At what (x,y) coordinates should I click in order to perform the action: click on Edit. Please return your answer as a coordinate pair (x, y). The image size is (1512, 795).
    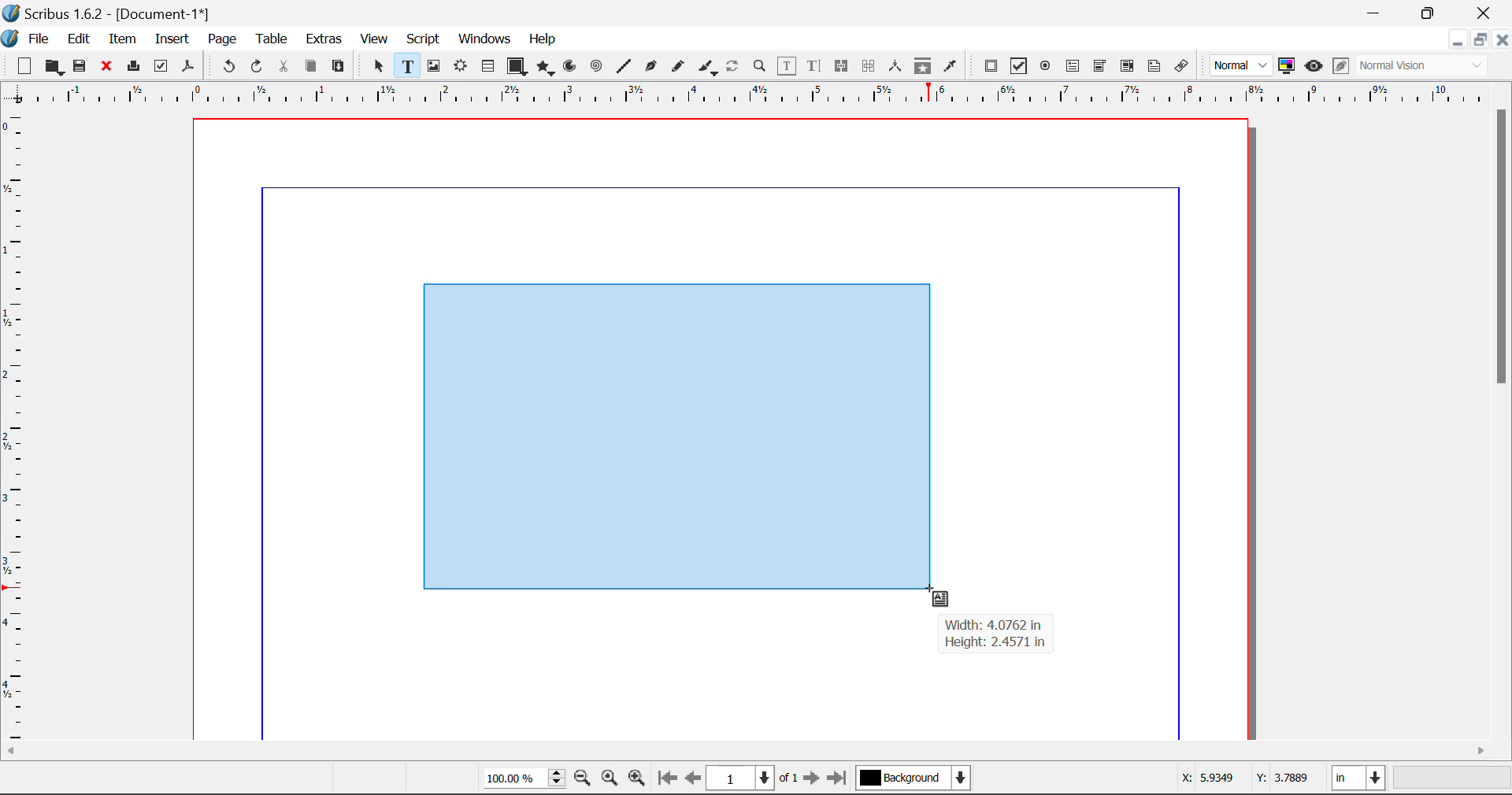
    Looking at the image, I should click on (79, 38).